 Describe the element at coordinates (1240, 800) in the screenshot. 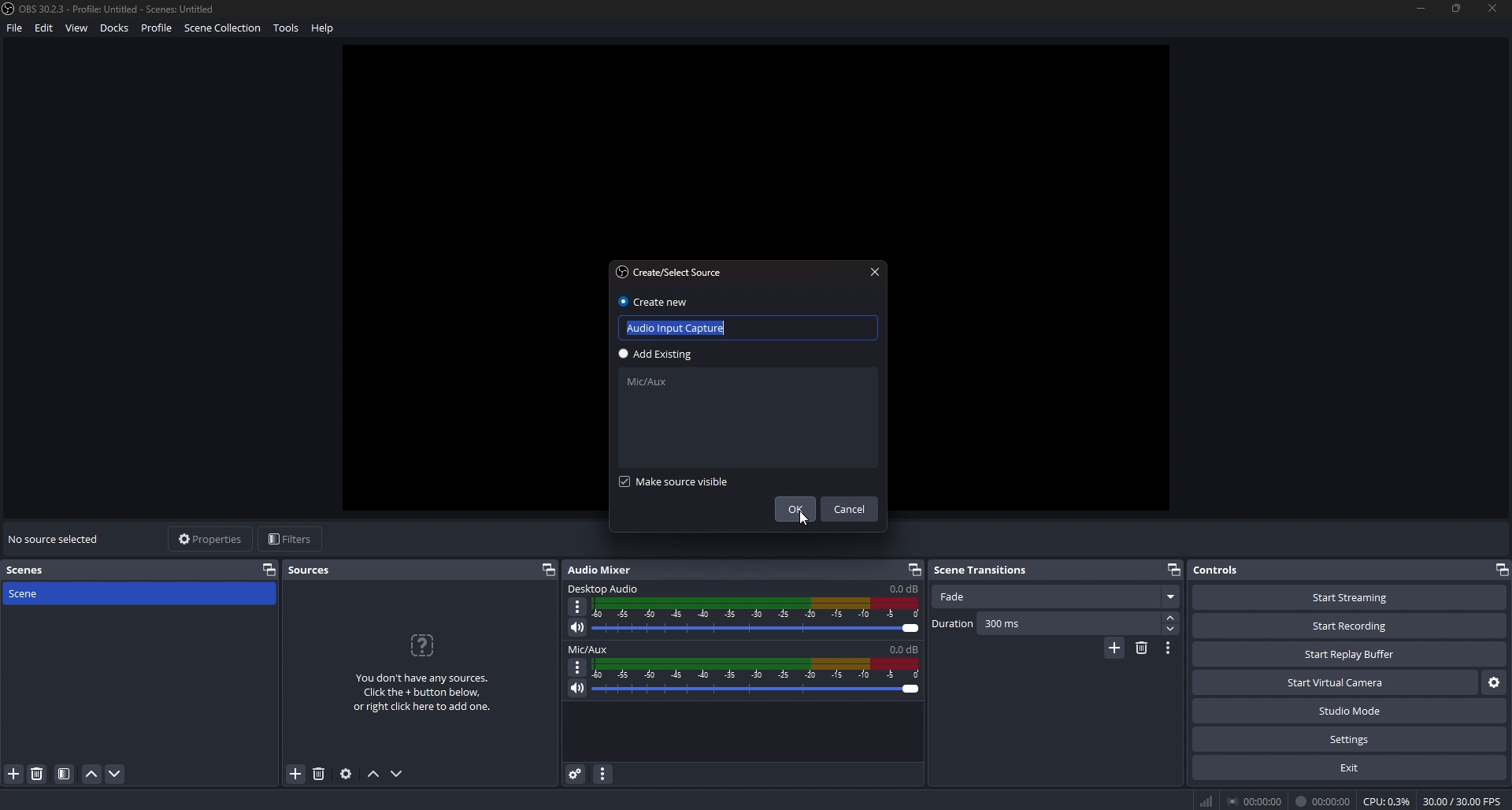

I see `® 00:00:00` at that location.